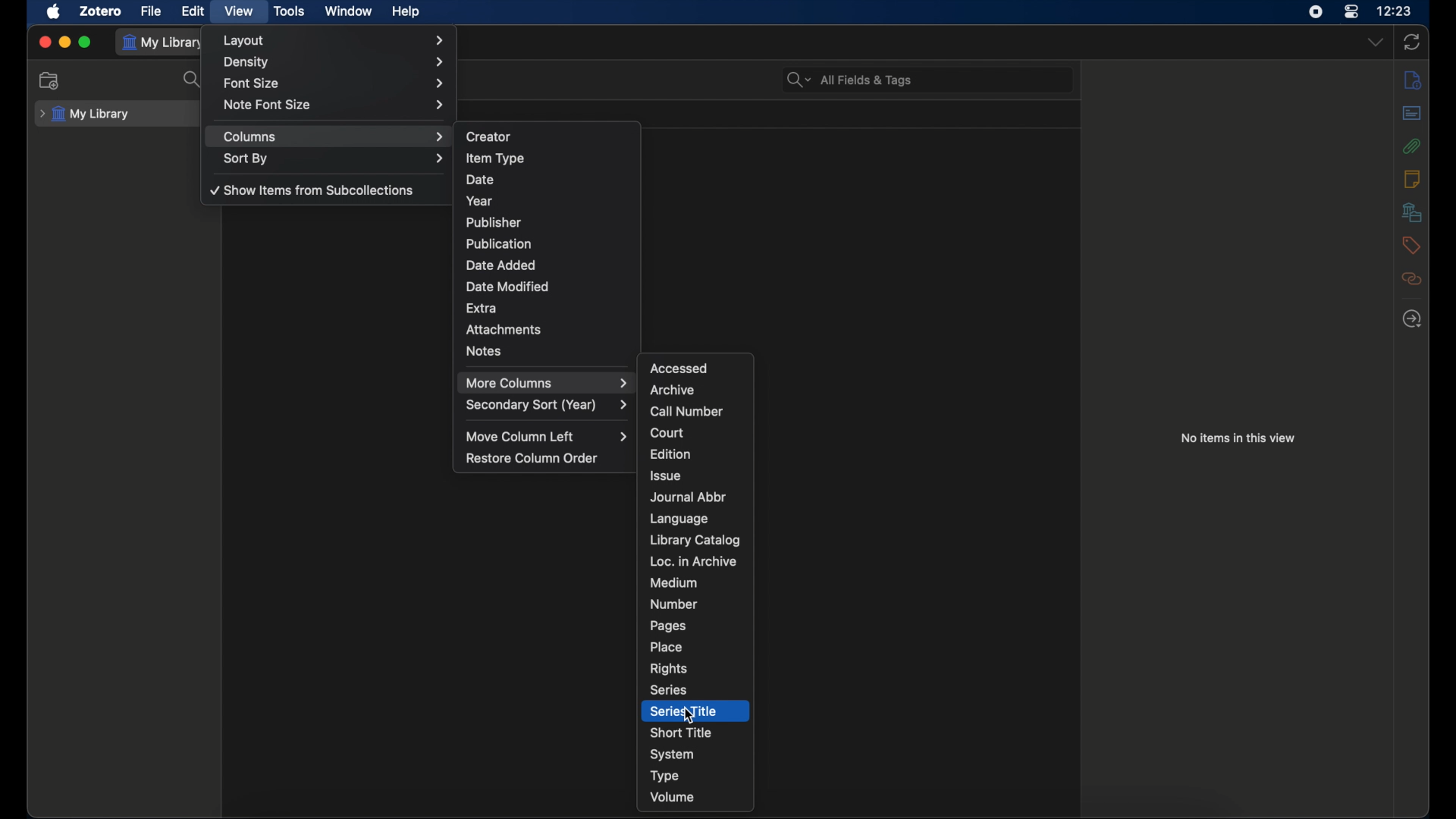 This screenshot has width=1456, height=819. Describe the element at coordinates (1412, 113) in the screenshot. I see `abstract` at that location.